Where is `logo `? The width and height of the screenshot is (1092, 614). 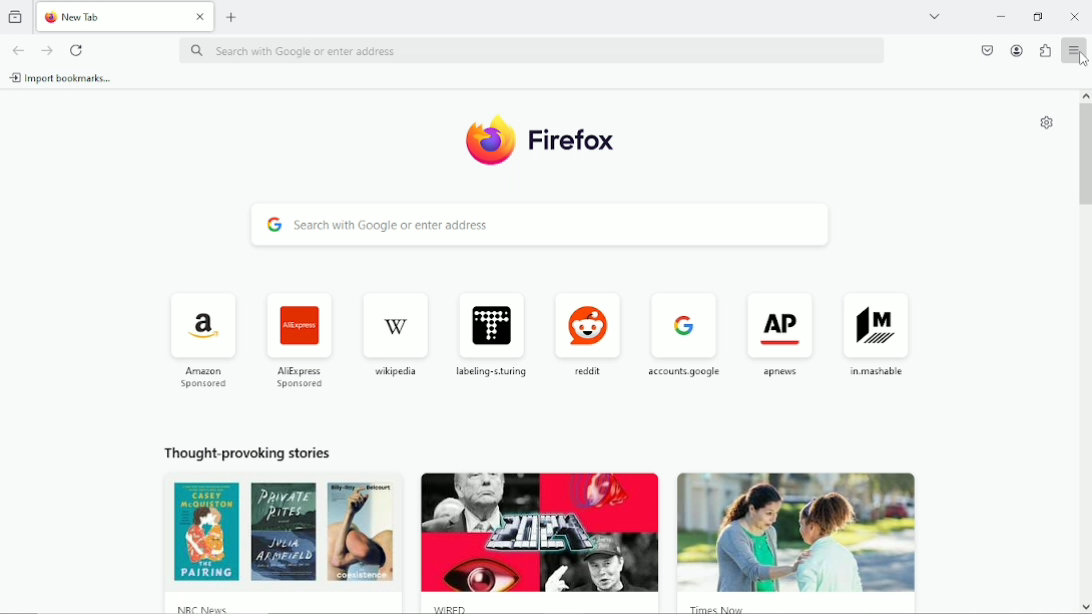 logo  is located at coordinates (490, 140).